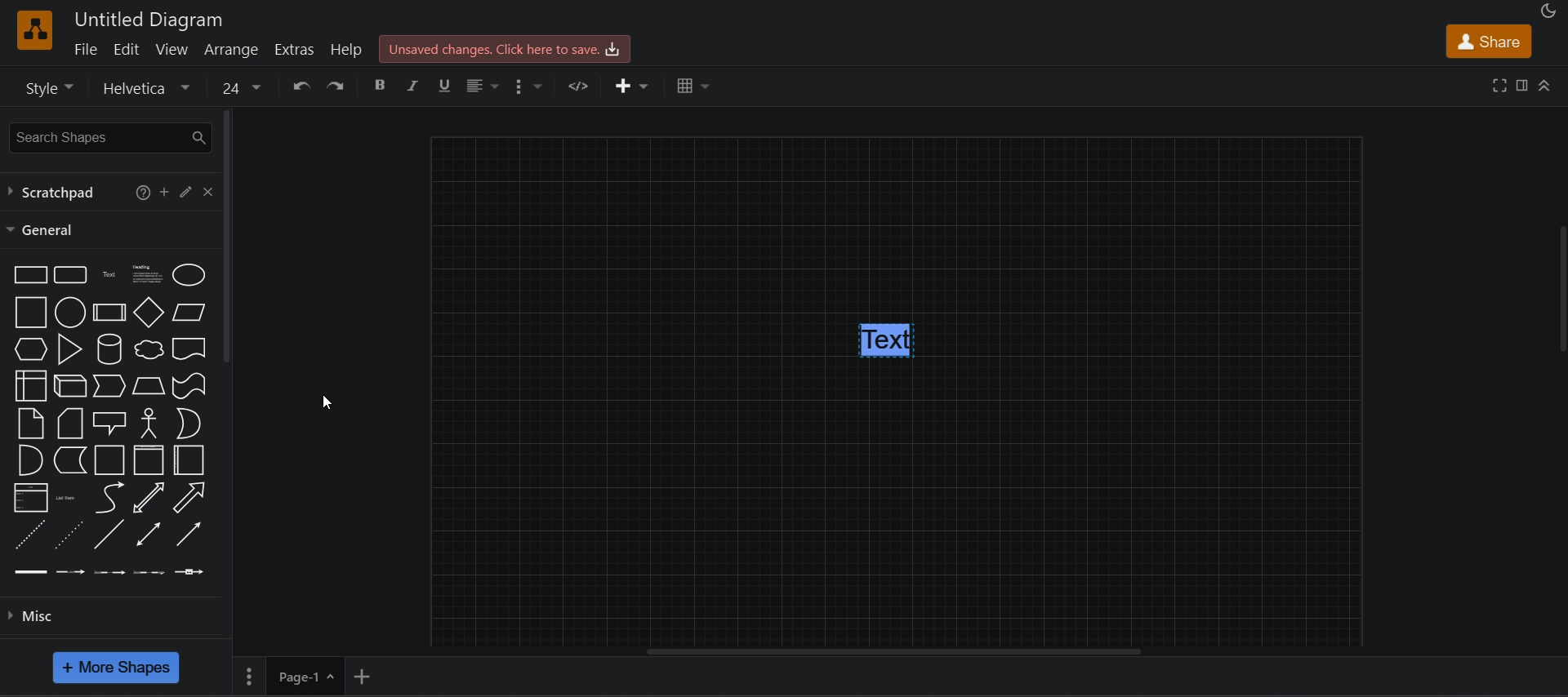 This screenshot has width=1568, height=697. I want to click on Text, so click(109, 275).